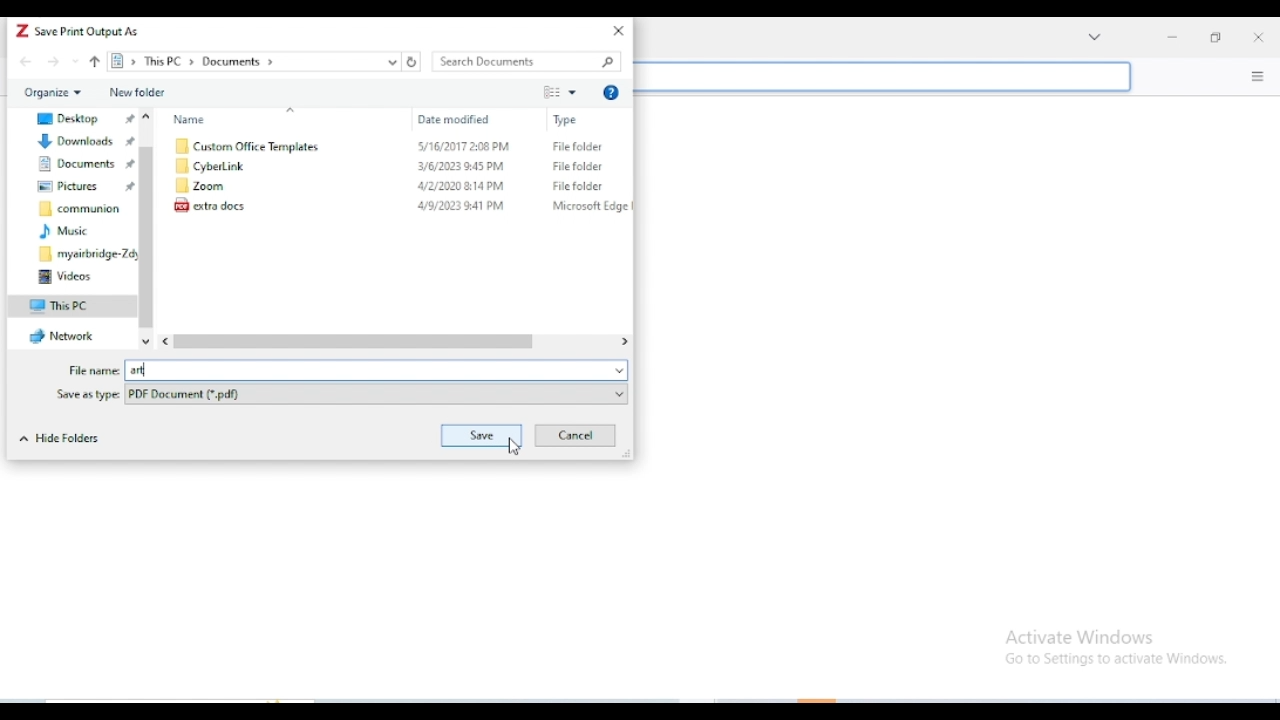  Describe the element at coordinates (85, 118) in the screenshot. I see `pinned desktop` at that location.